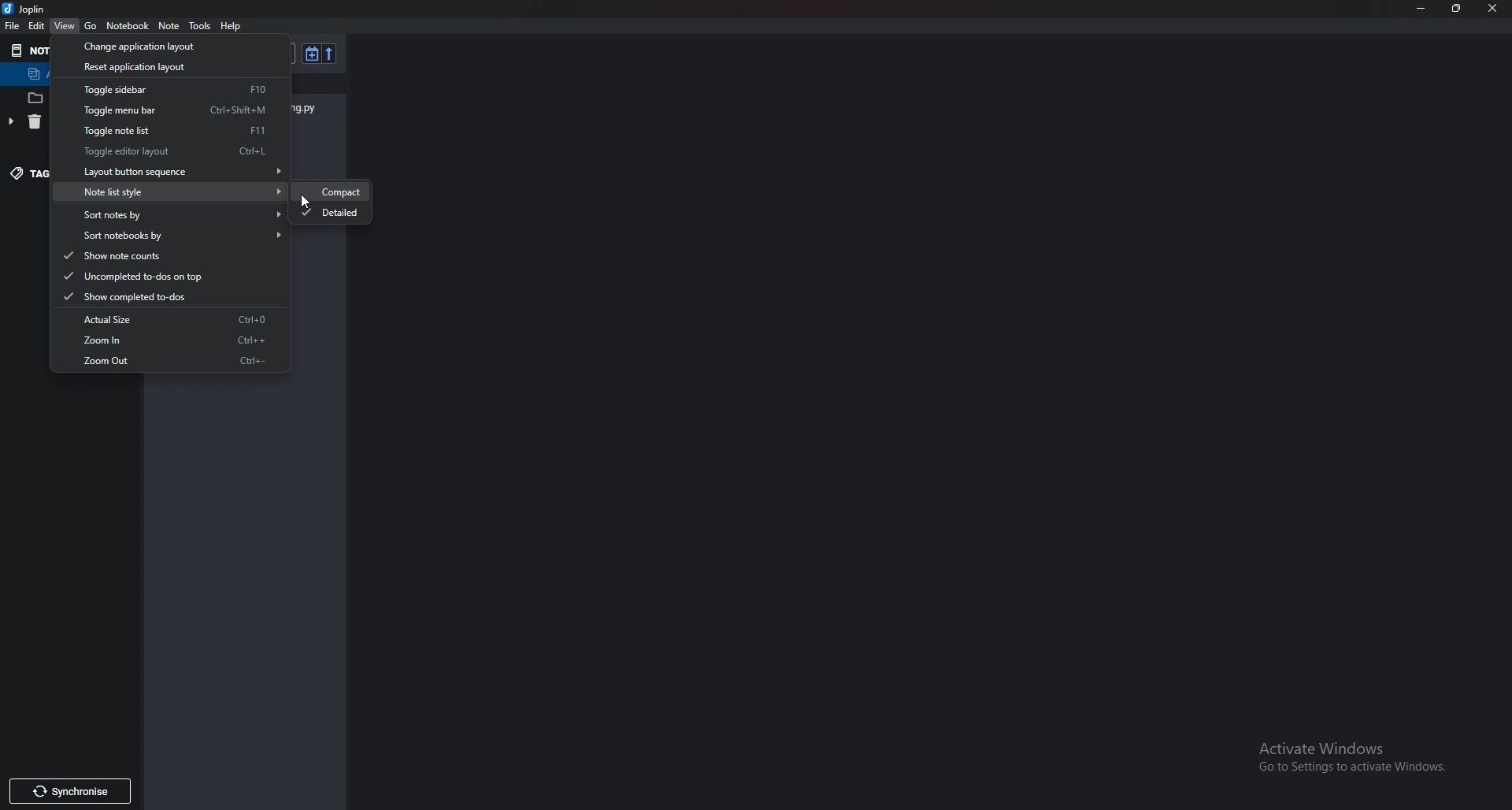 The width and height of the screenshot is (1512, 810). Describe the element at coordinates (169, 361) in the screenshot. I see `Zoom out` at that location.